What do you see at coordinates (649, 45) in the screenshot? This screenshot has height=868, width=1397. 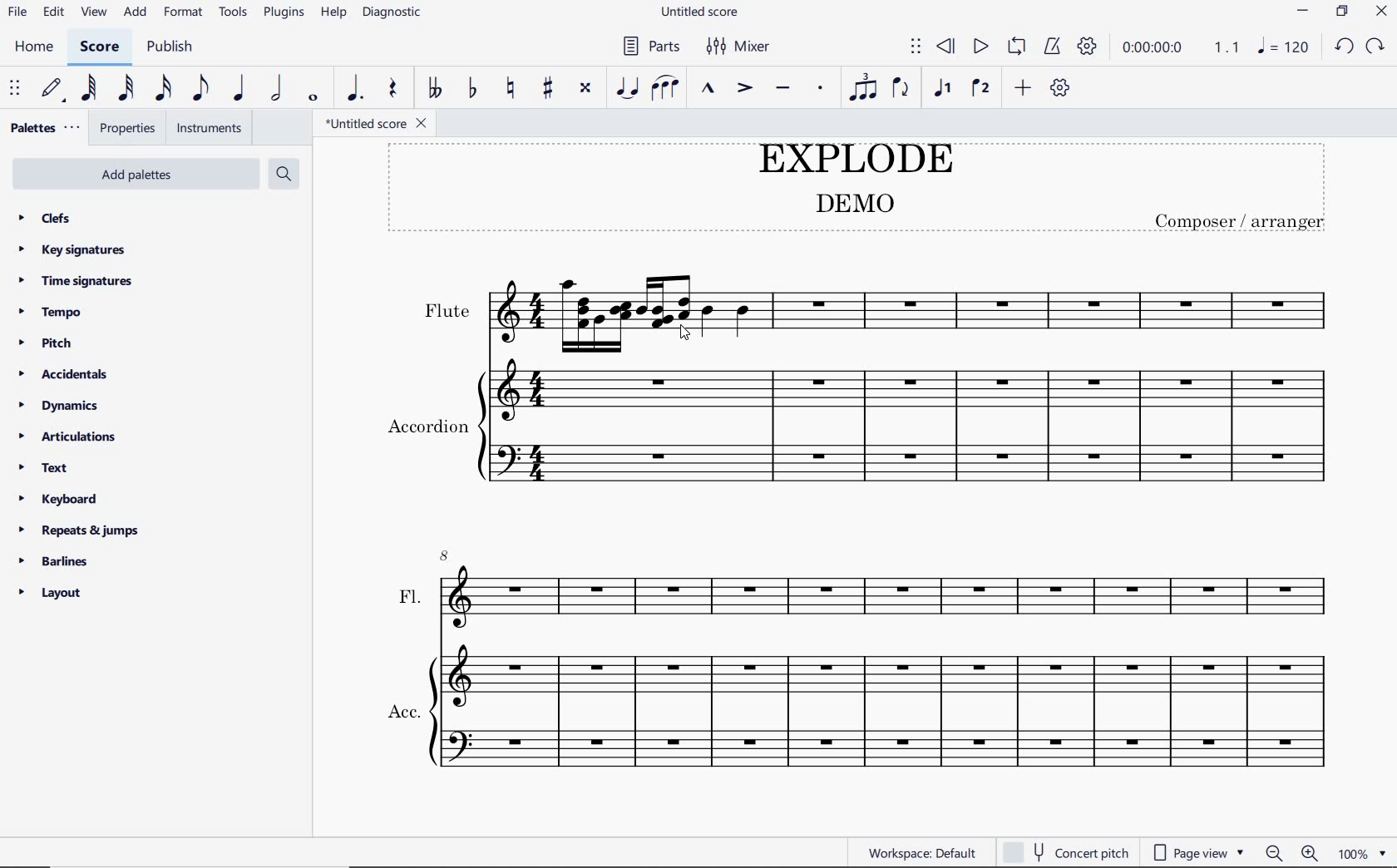 I see `parts` at bounding box center [649, 45].